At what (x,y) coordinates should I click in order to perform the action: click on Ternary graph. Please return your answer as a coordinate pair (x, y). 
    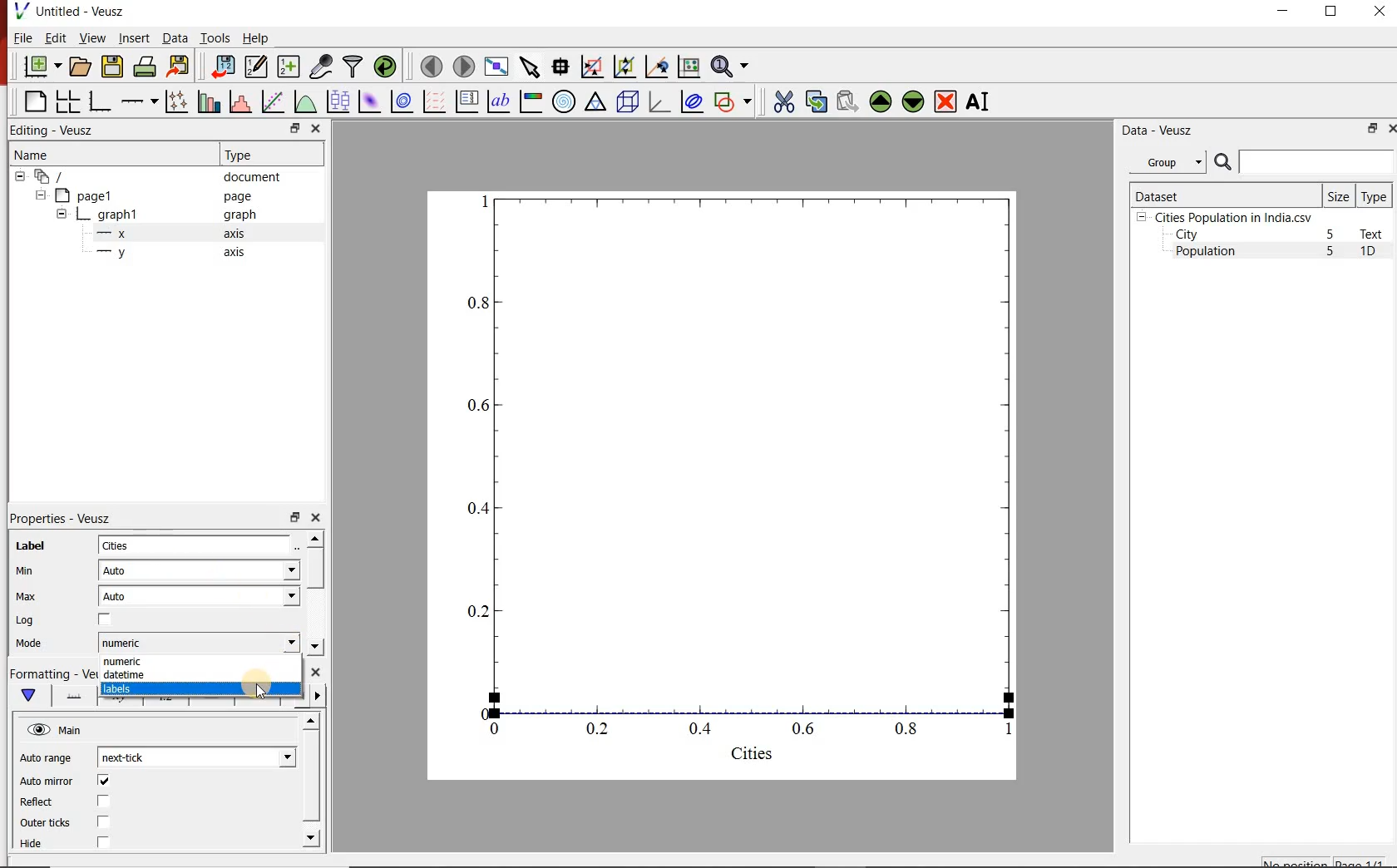
    Looking at the image, I should click on (595, 102).